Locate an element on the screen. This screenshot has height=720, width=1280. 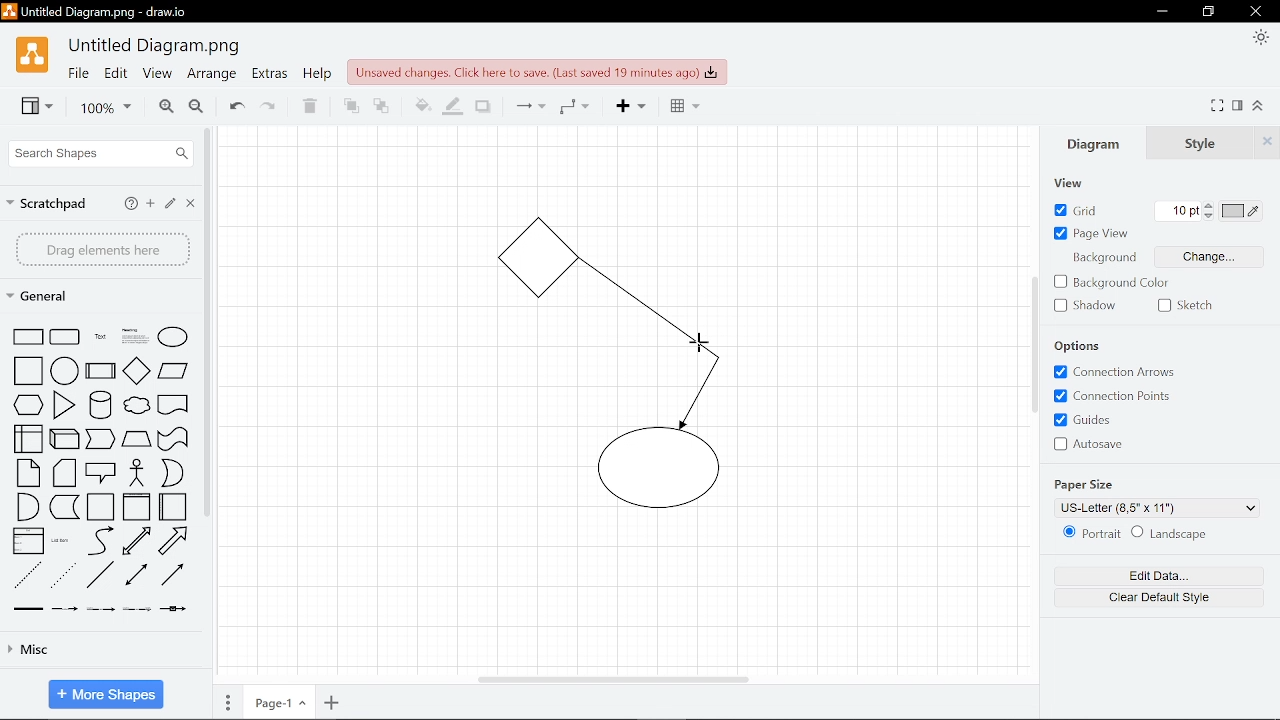
shape is located at coordinates (100, 611).